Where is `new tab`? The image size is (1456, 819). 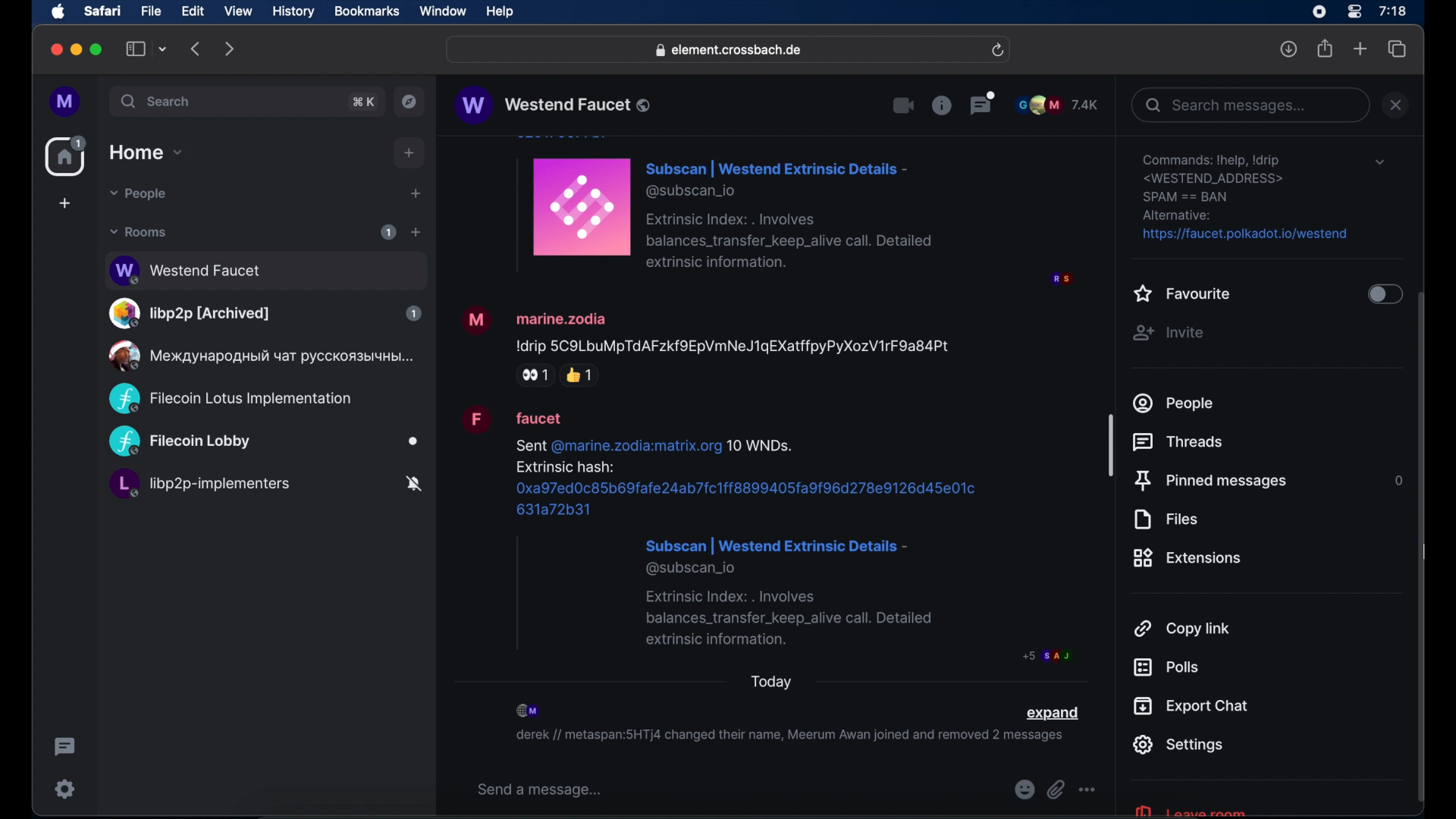 new tab is located at coordinates (1360, 48).